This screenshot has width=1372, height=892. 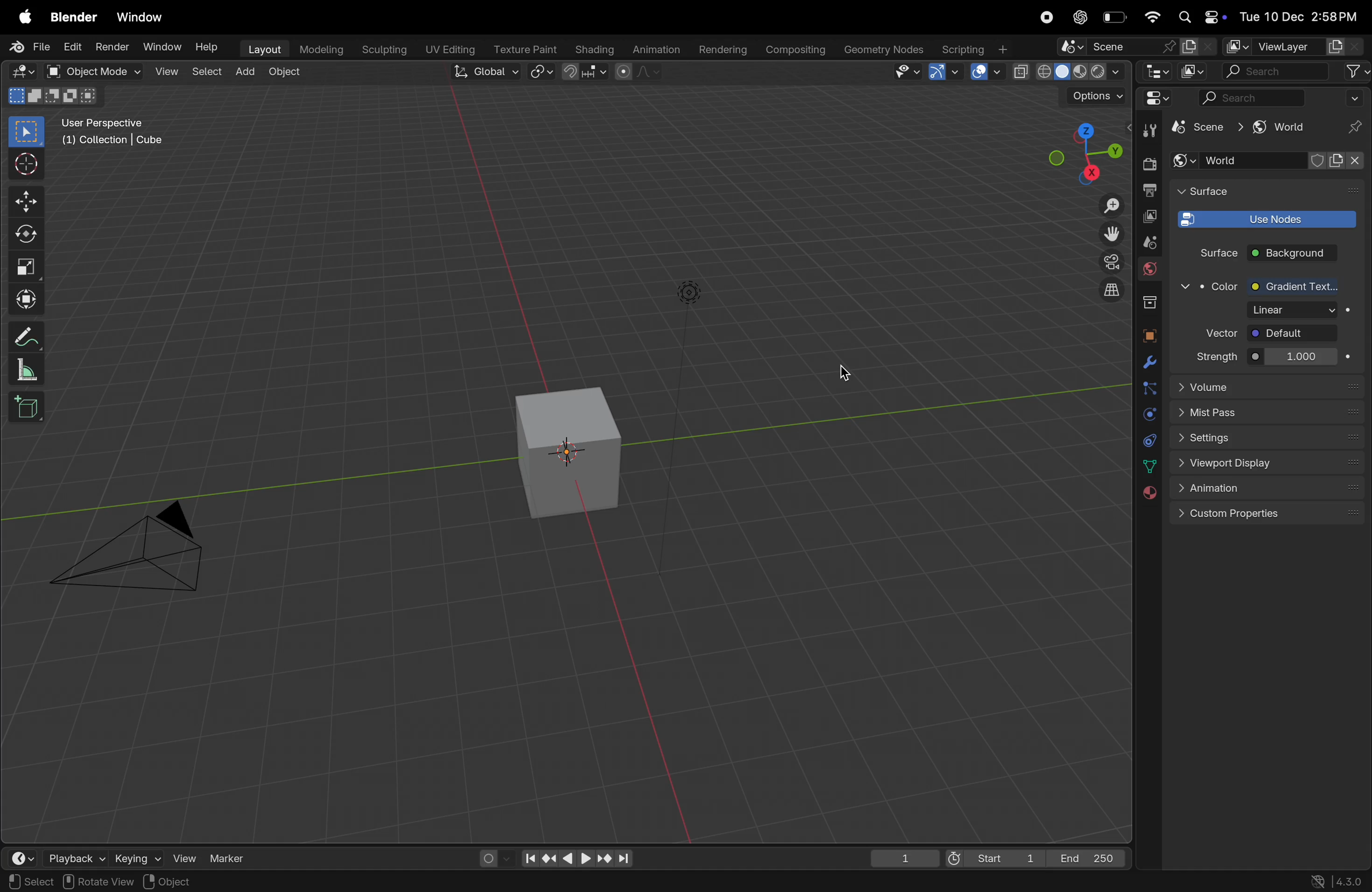 I want to click on Global, so click(x=482, y=71).